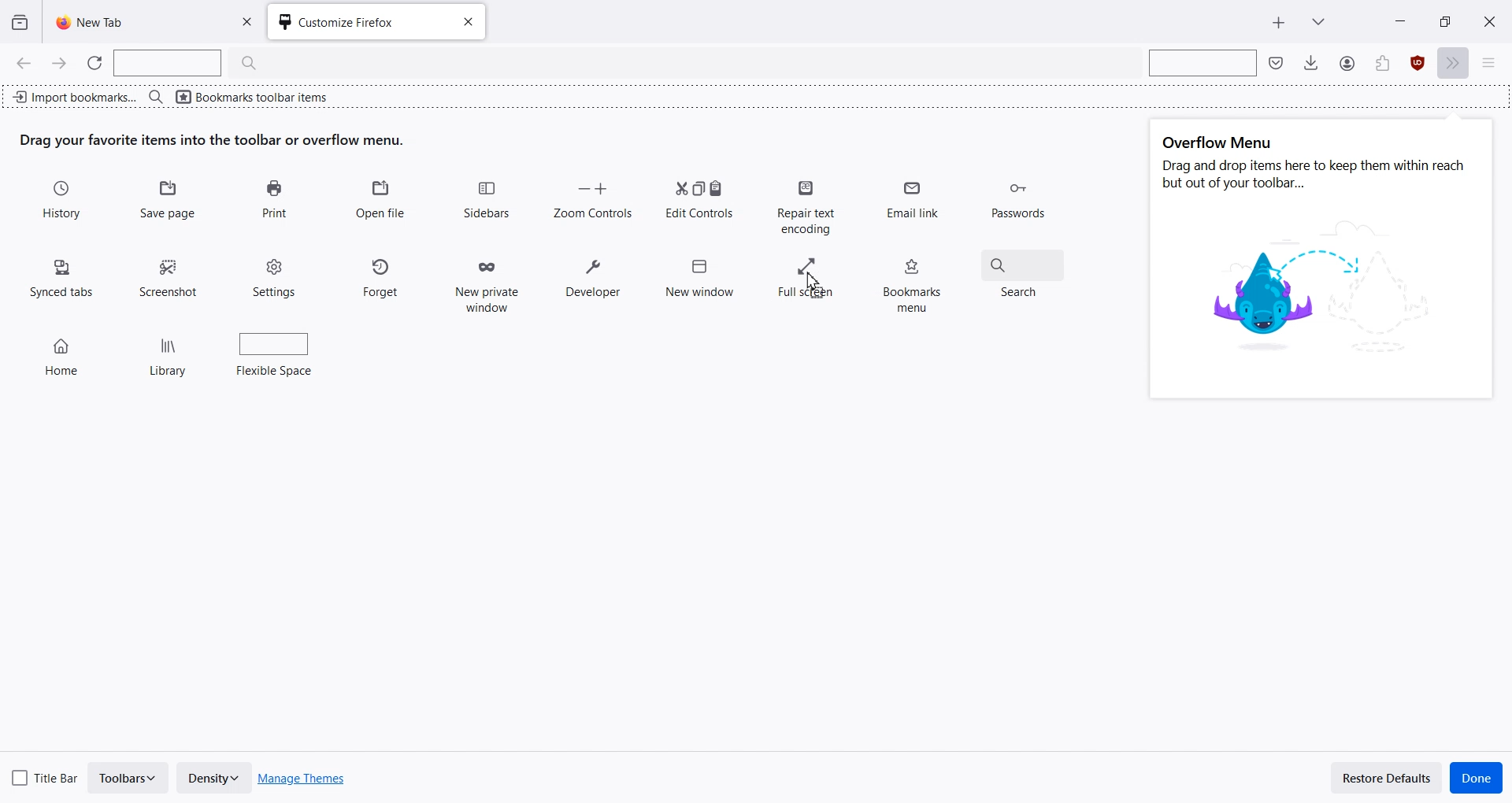 The height and width of the screenshot is (803, 1512). Describe the element at coordinates (129, 778) in the screenshot. I see `Toolbars` at that location.